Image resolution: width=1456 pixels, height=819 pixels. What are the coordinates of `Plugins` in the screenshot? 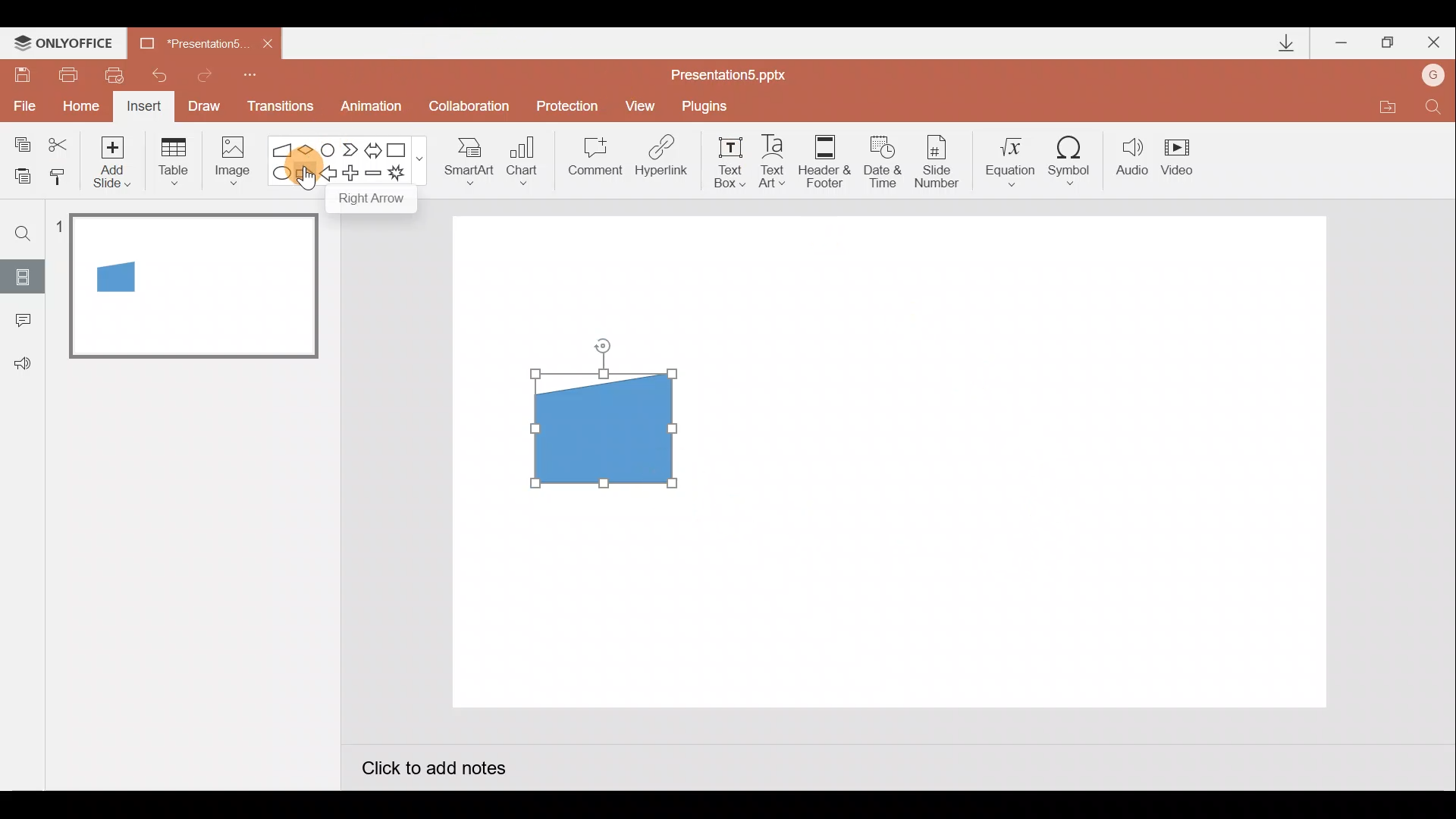 It's located at (708, 106).